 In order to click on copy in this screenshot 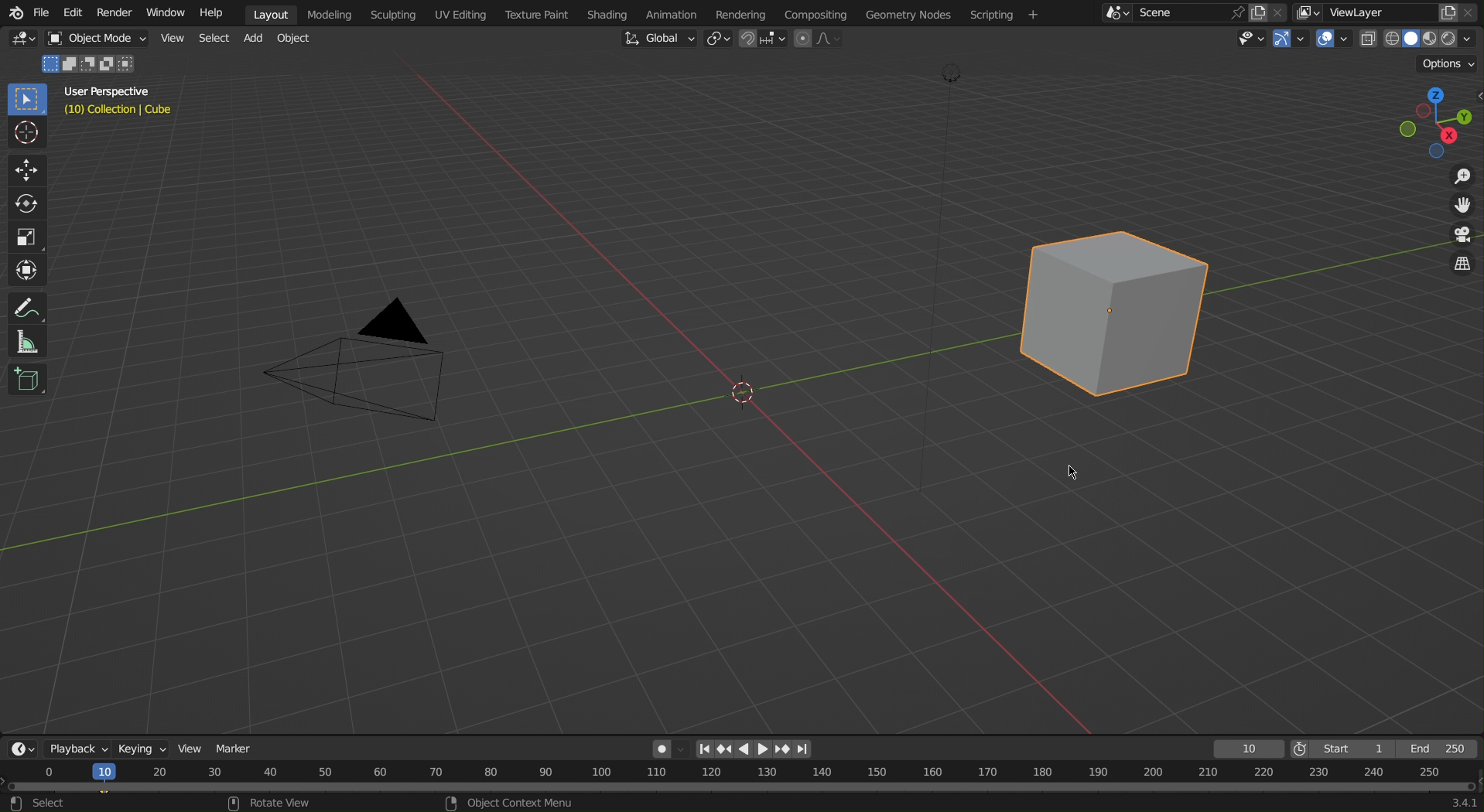, I will do `click(1263, 11)`.